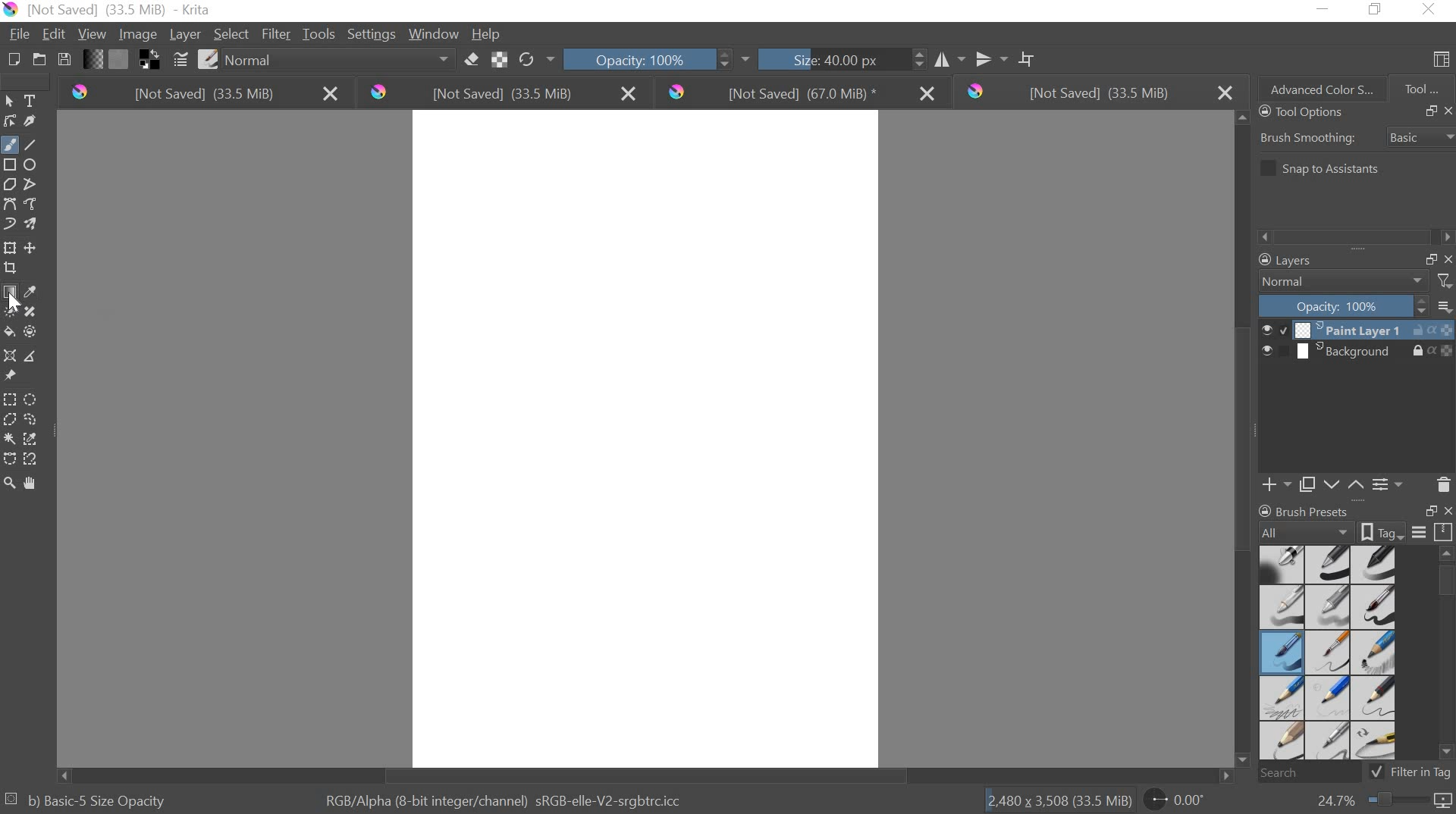  Describe the element at coordinates (647, 441) in the screenshot. I see `document workspace` at that location.